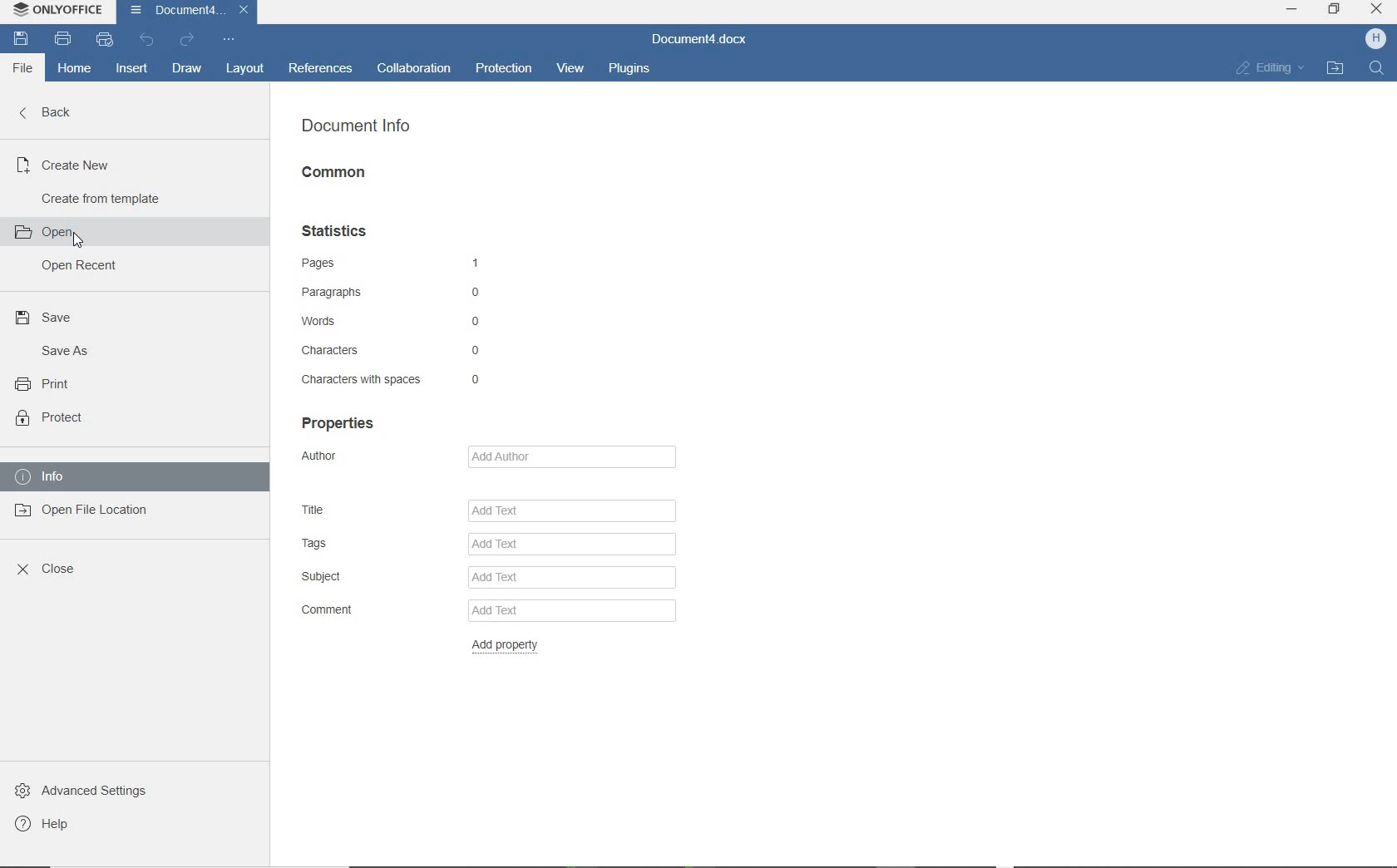 Image resolution: width=1397 pixels, height=868 pixels. I want to click on view, so click(572, 70).